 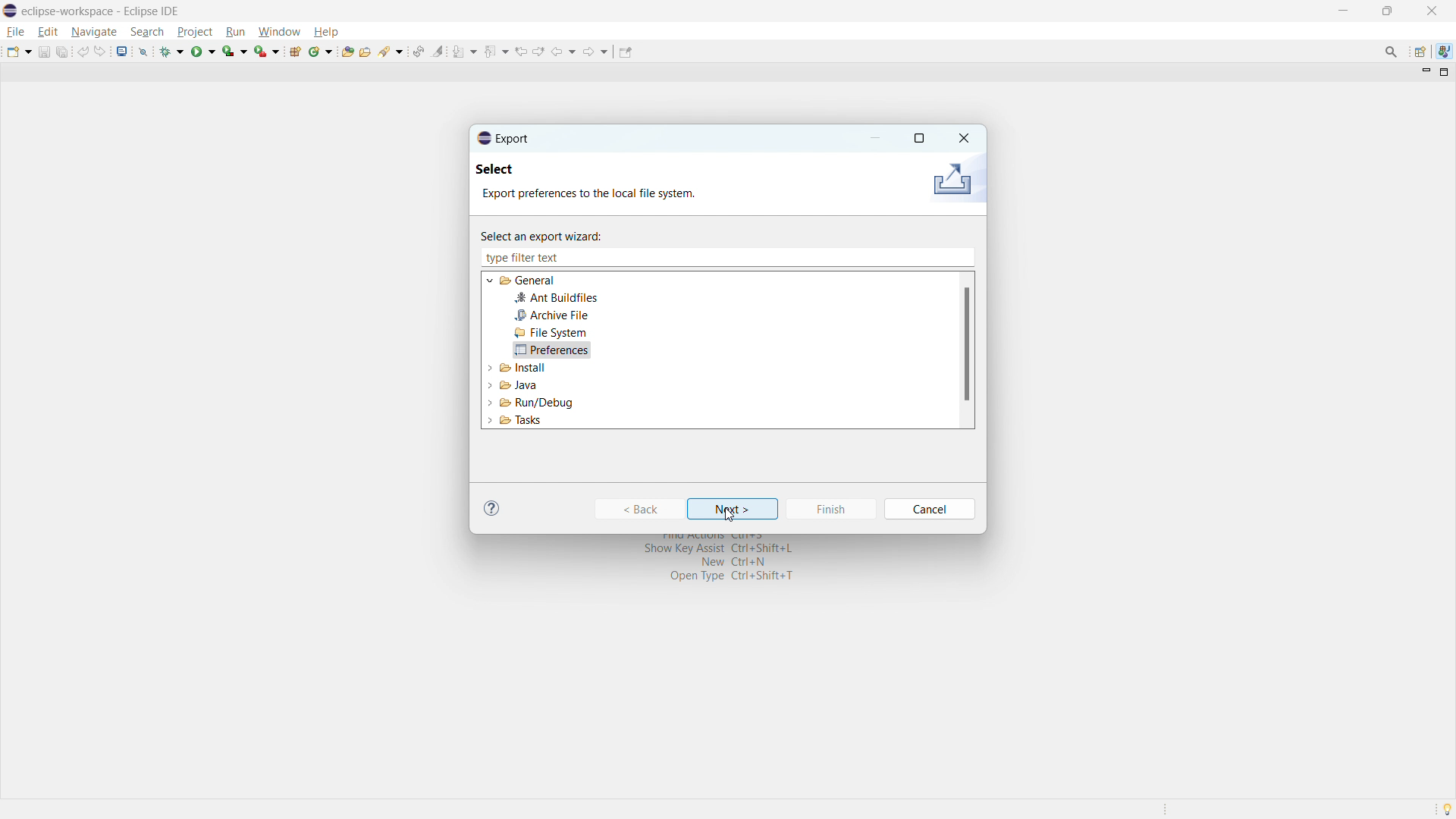 What do you see at coordinates (172, 52) in the screenshot?
I see `debug` at bounding box center [172, 52].